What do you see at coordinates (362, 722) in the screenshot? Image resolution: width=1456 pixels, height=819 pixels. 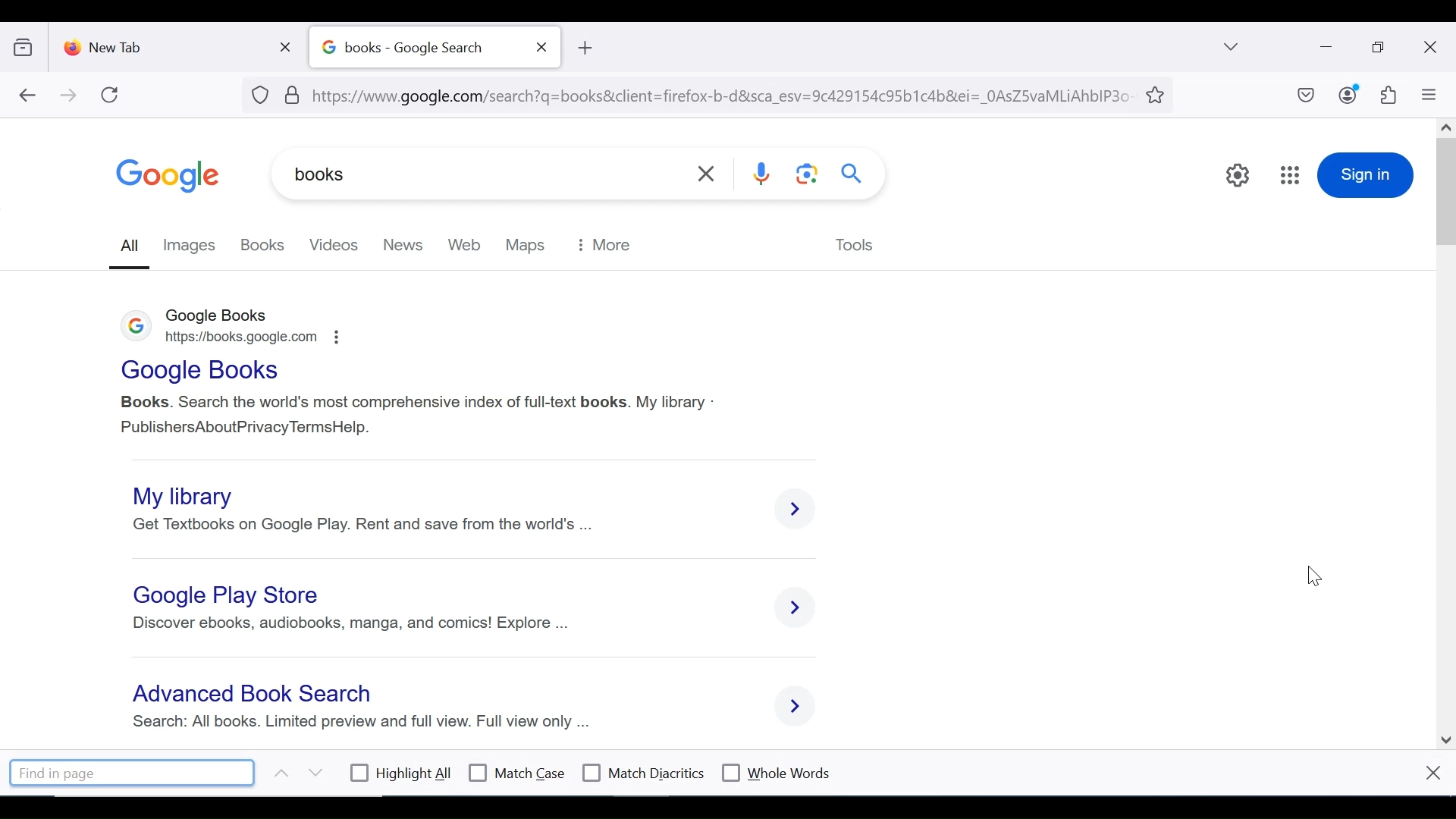 I see `search: all books. limited preview and full view. Full view only ...` at bounding box center [362, 722].